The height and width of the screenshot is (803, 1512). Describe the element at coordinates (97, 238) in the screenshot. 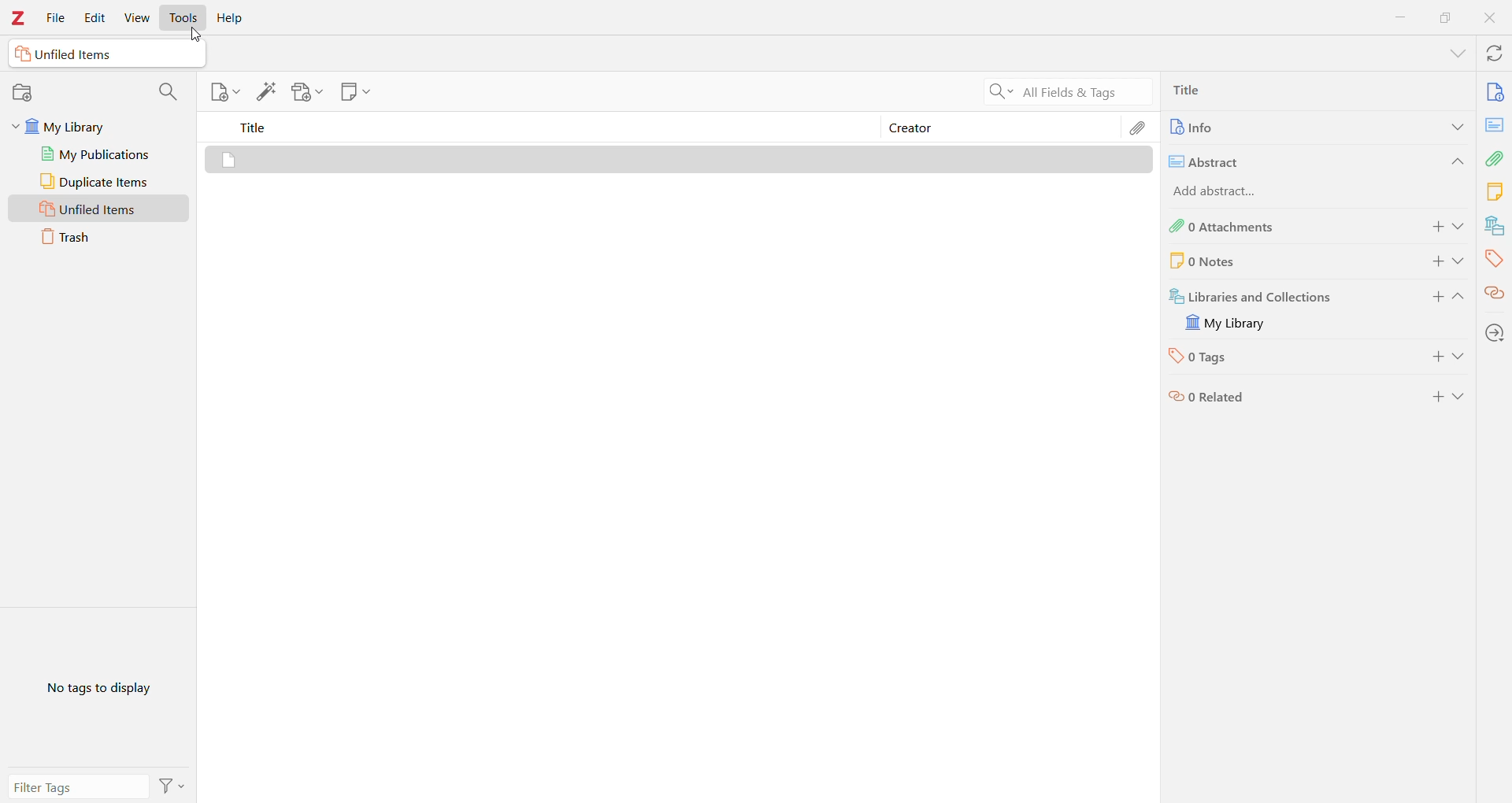

I see `Trash` at that location.